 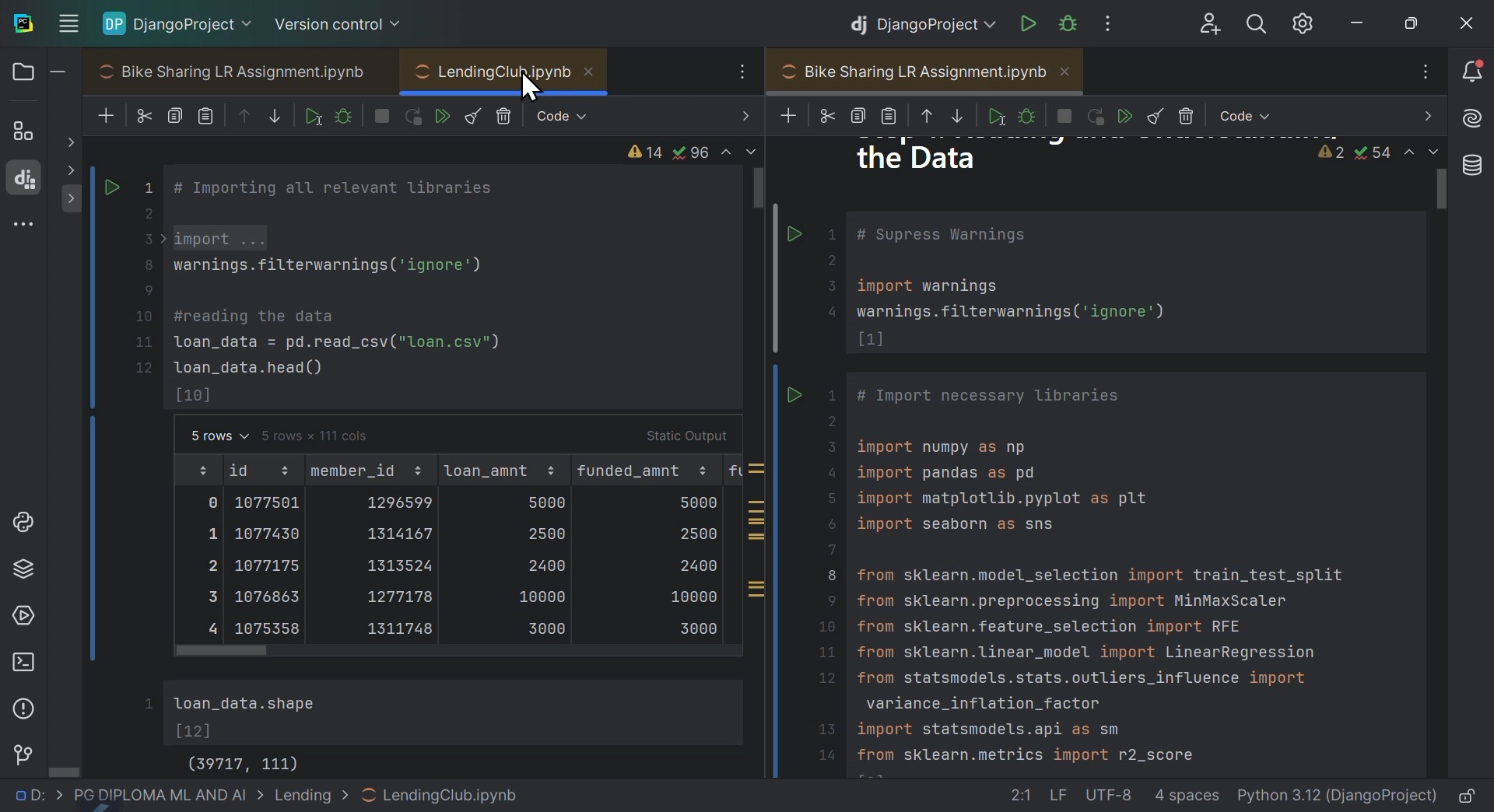 What do you see at coordinates (1423, 71) in the screenshot?
I see `options` at bounding box center [1423, 71].